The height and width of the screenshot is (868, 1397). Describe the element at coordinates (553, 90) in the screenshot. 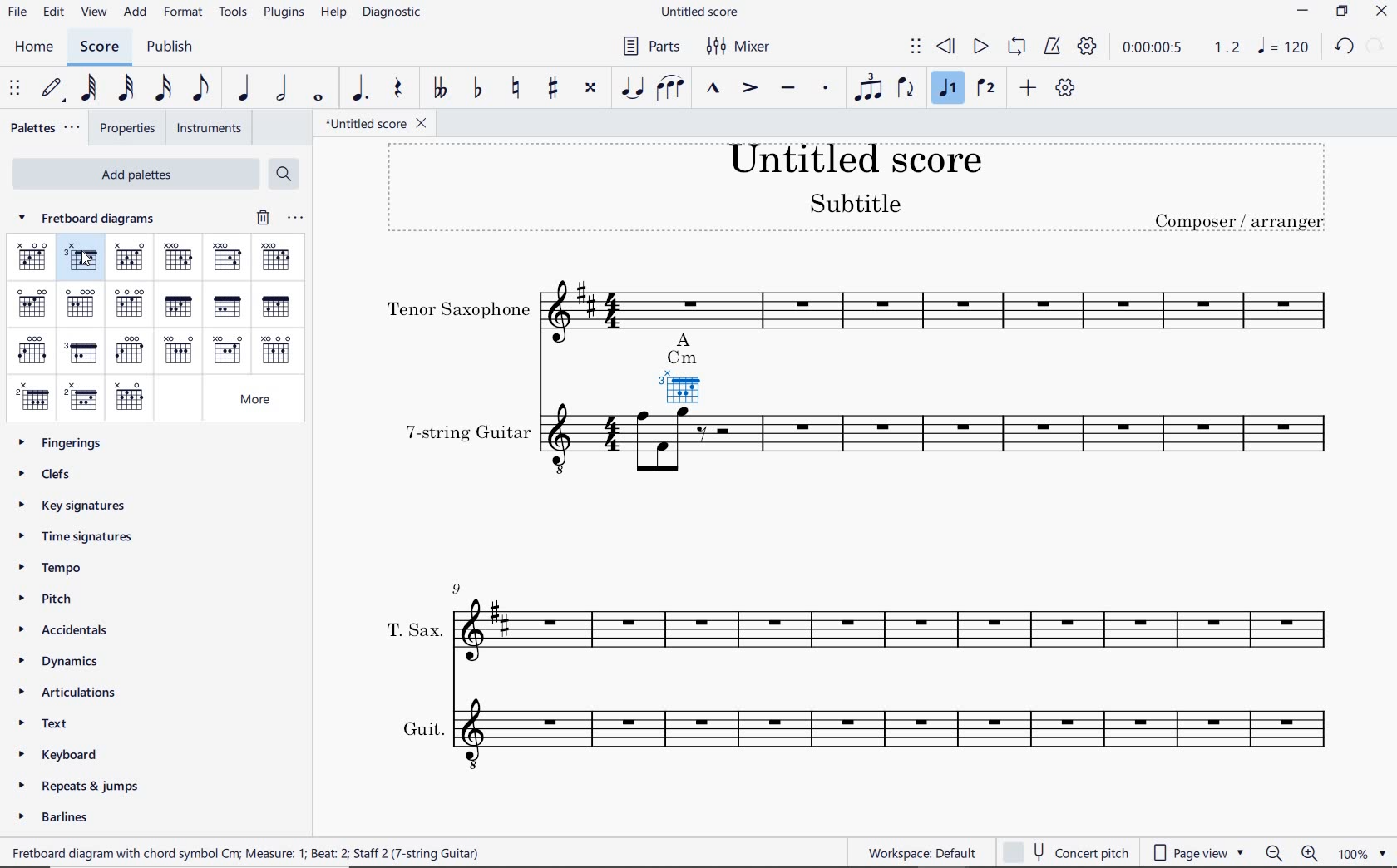

I see `TOGGLE SHARP` at that location.